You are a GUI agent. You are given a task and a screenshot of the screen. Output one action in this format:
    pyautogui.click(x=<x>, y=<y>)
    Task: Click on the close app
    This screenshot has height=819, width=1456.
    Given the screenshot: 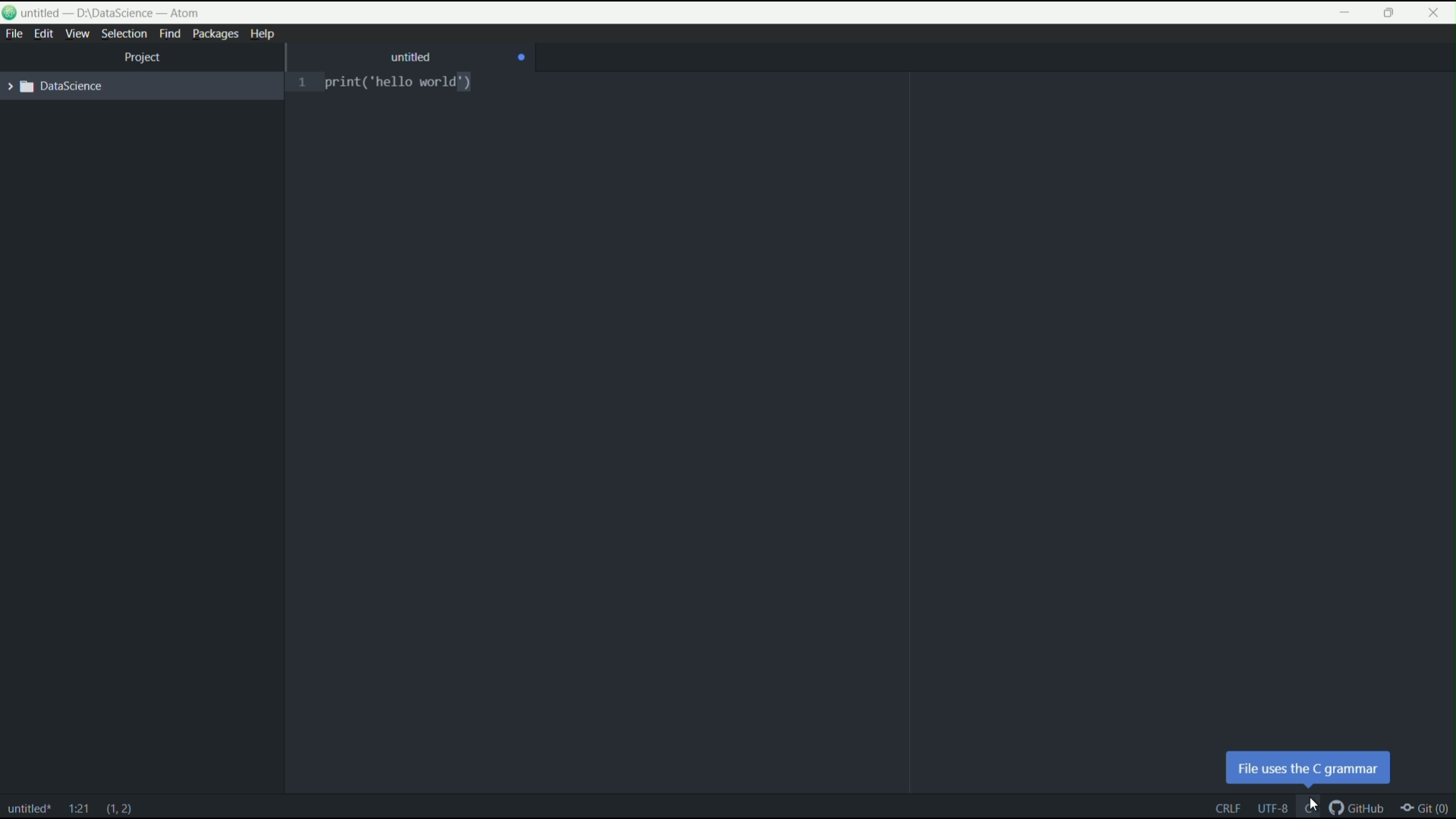 What is the action you would take?
    pyautogui.click(x=1435, y=13)
    